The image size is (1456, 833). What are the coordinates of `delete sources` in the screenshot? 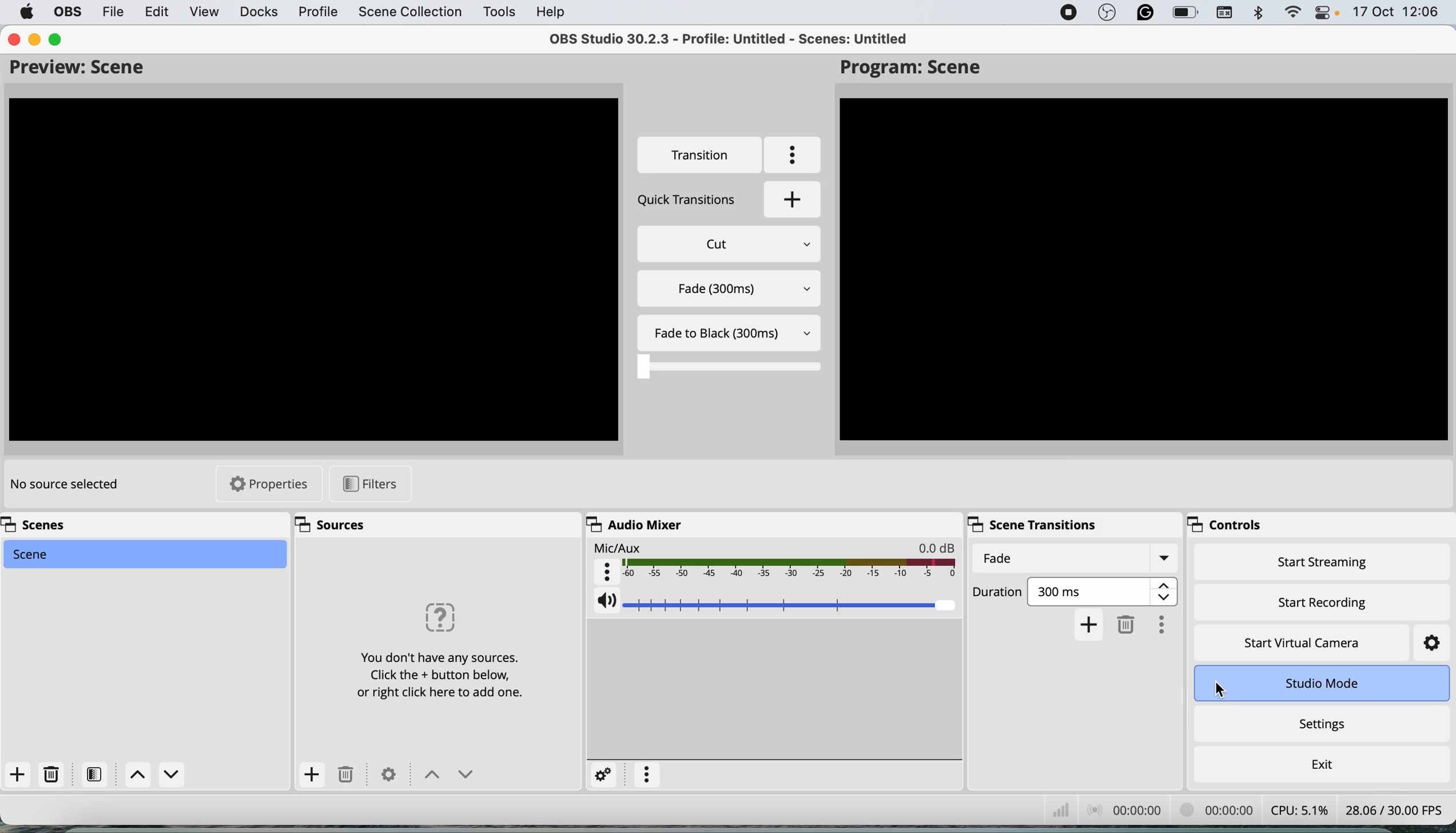 It's located at (349, 775).